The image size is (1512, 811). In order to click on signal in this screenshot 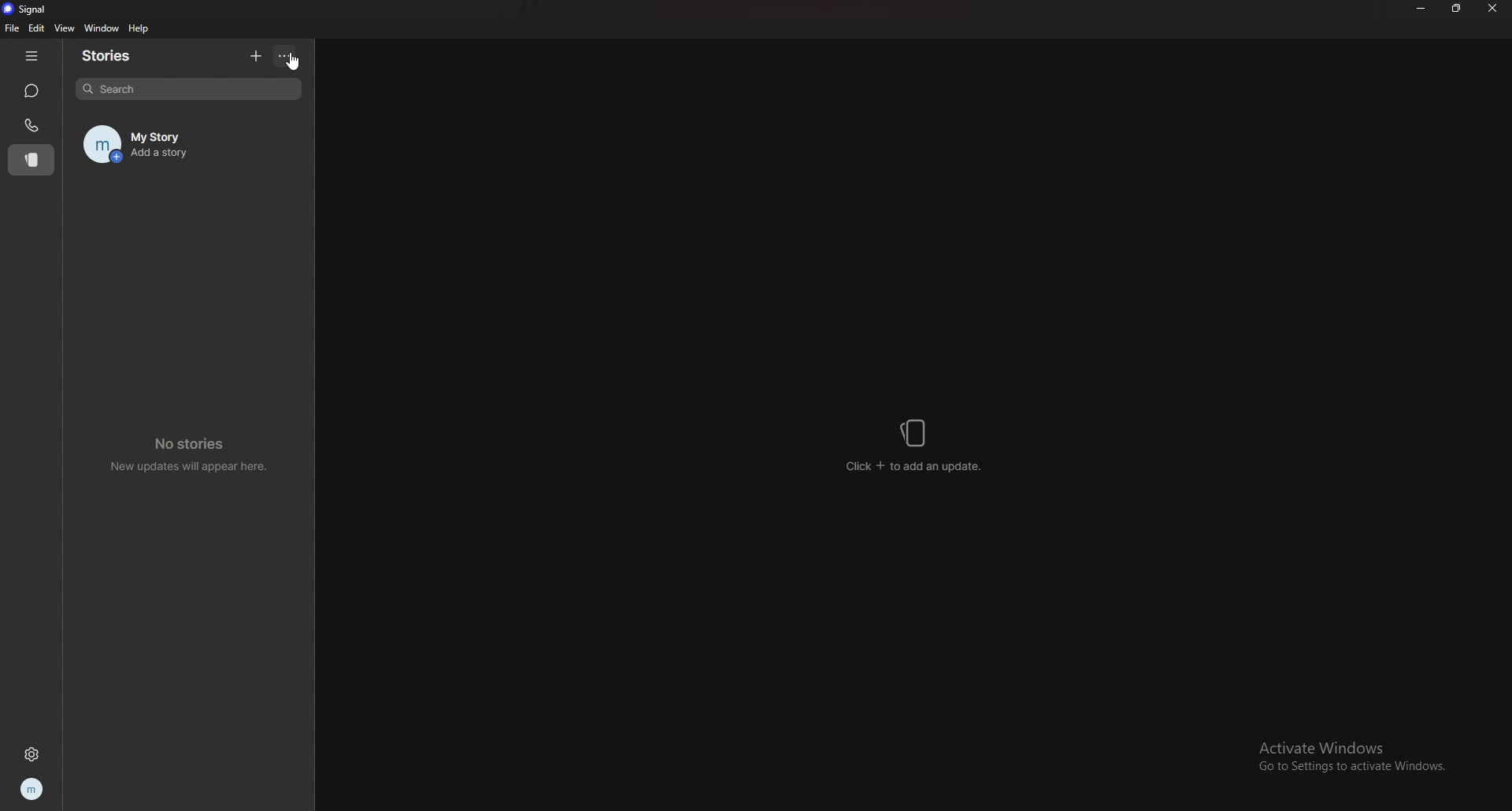, I will do `click(25, 9)`.